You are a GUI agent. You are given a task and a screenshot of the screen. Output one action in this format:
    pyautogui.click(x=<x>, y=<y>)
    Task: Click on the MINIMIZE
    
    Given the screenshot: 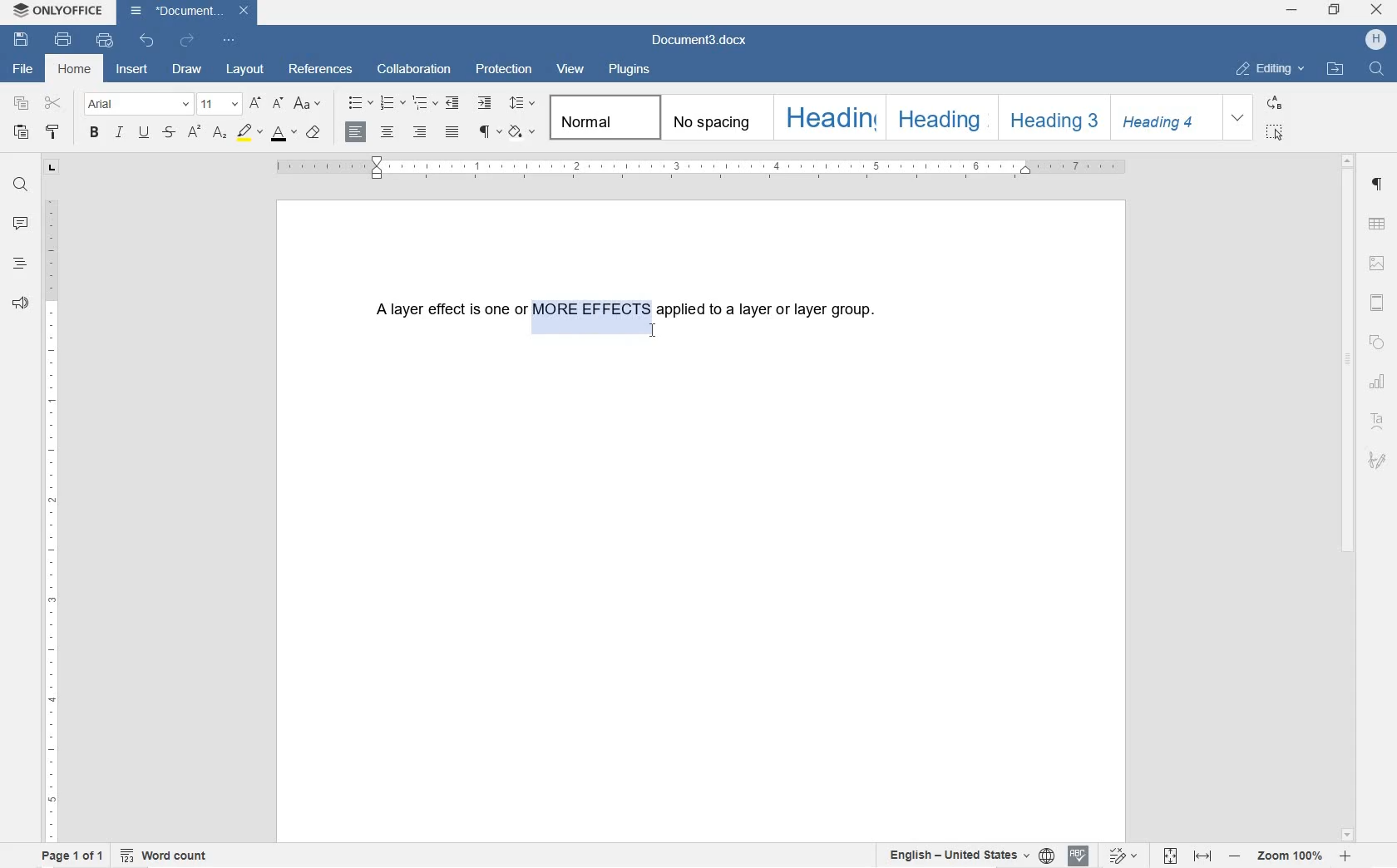 What is the action you would take?
    pyautogui.click(x=1294, y=11)
    